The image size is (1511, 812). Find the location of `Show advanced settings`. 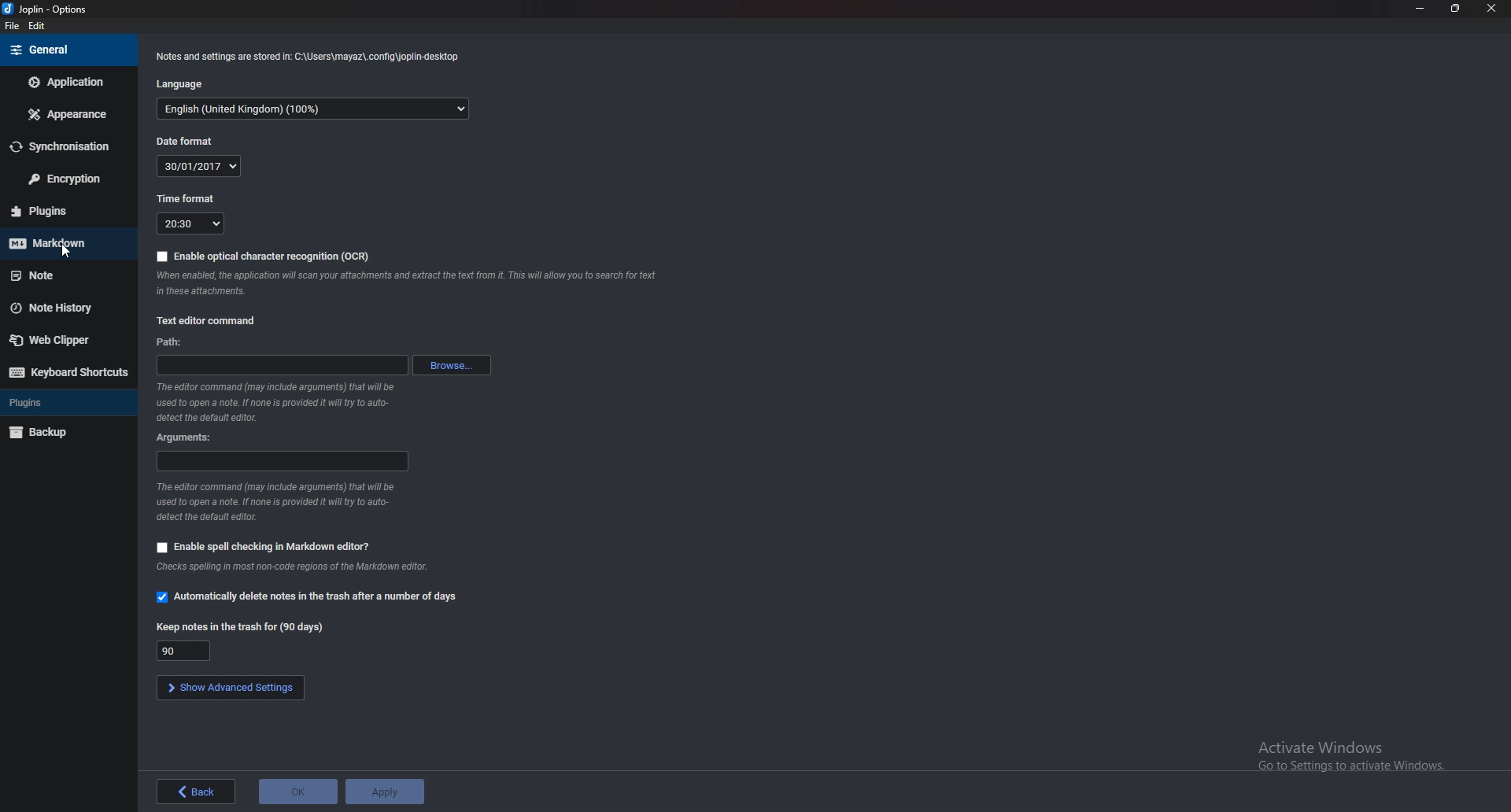

Show advanced settings is located at coordinates (231, 688).